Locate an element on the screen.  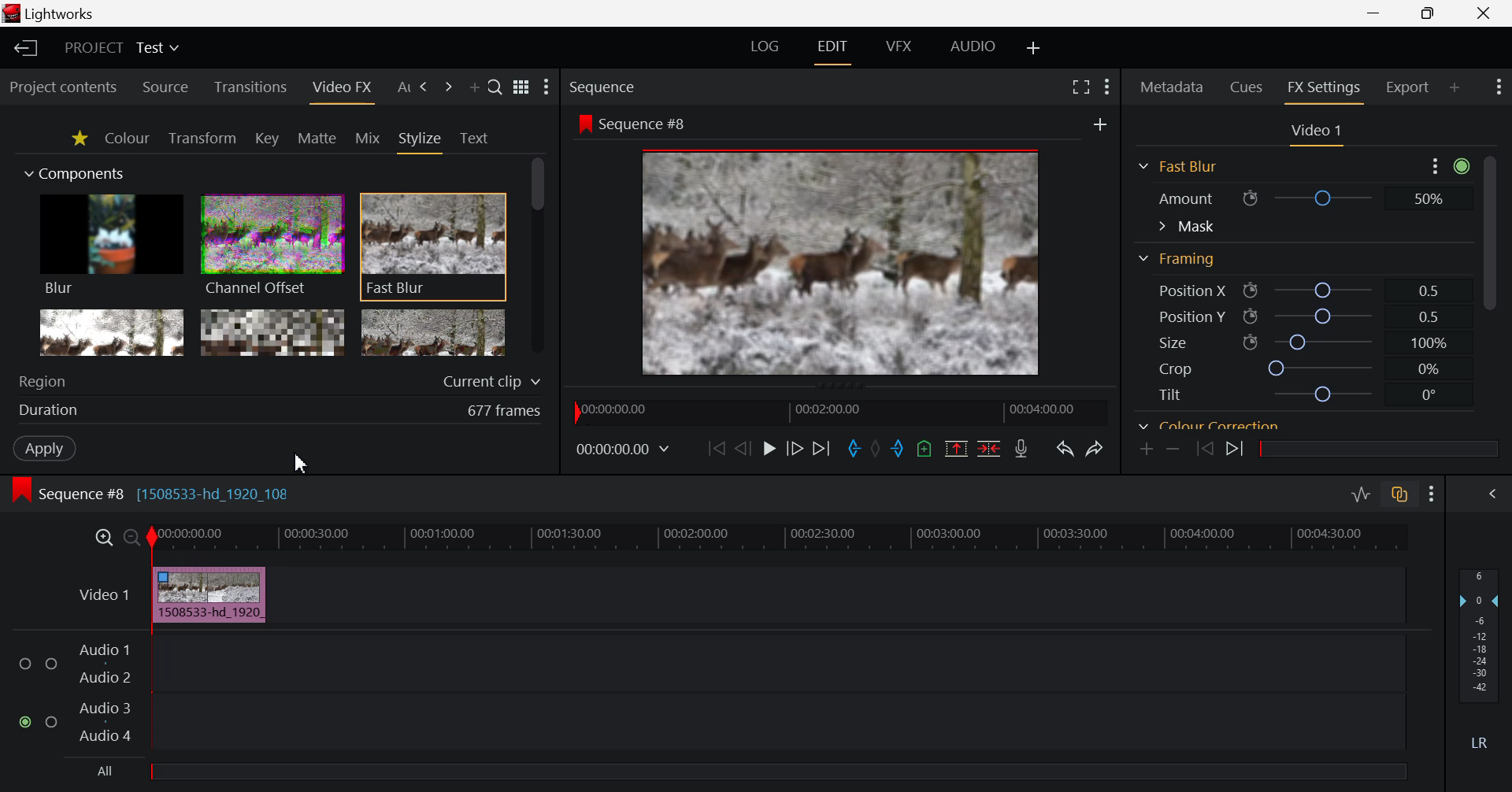
Metadata is located at coordinates (1171, 89).